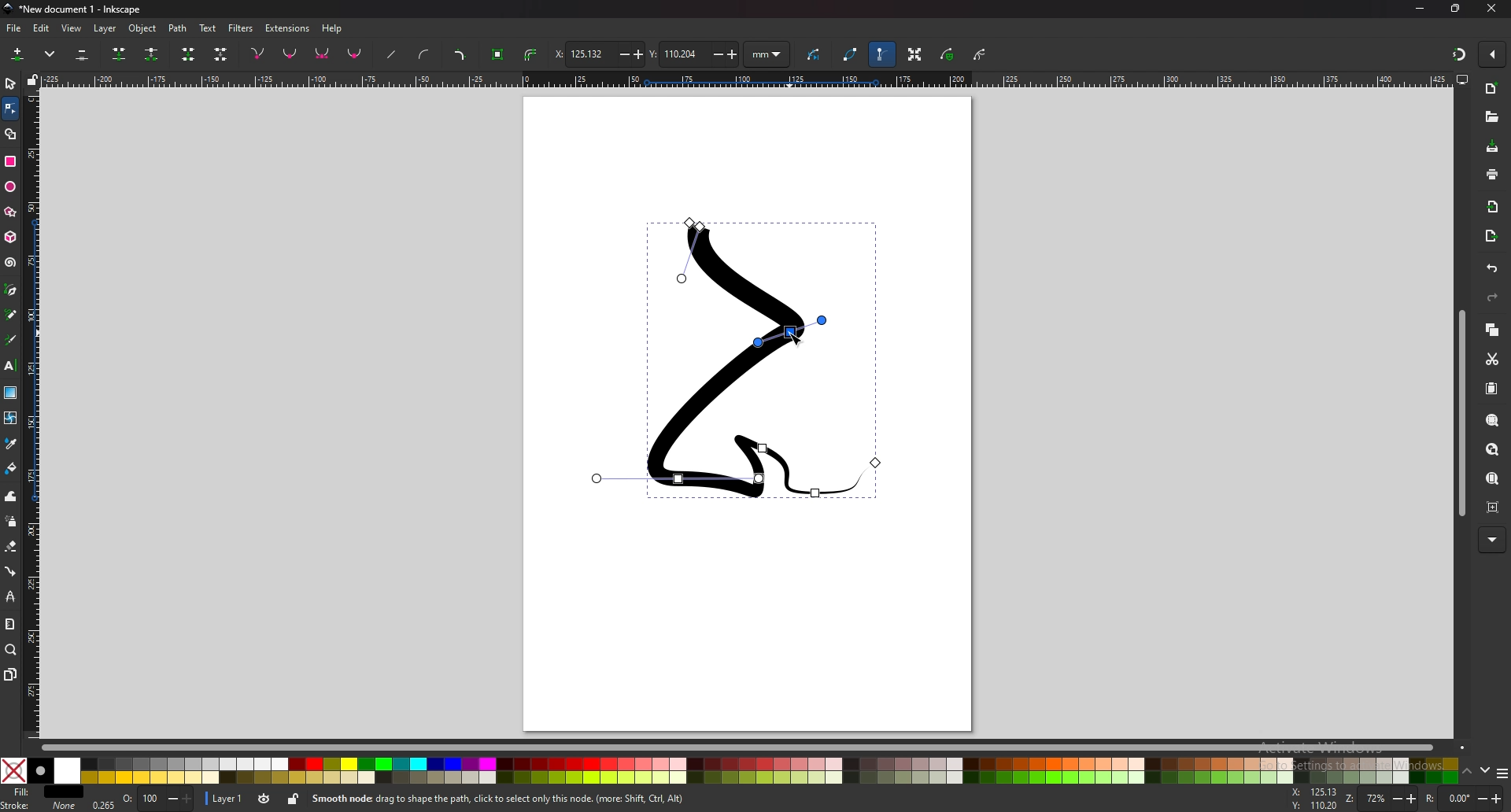 Image resolution: width=1511 pixels, height=812 pixels. I want to click on lock, so click(294, 799).